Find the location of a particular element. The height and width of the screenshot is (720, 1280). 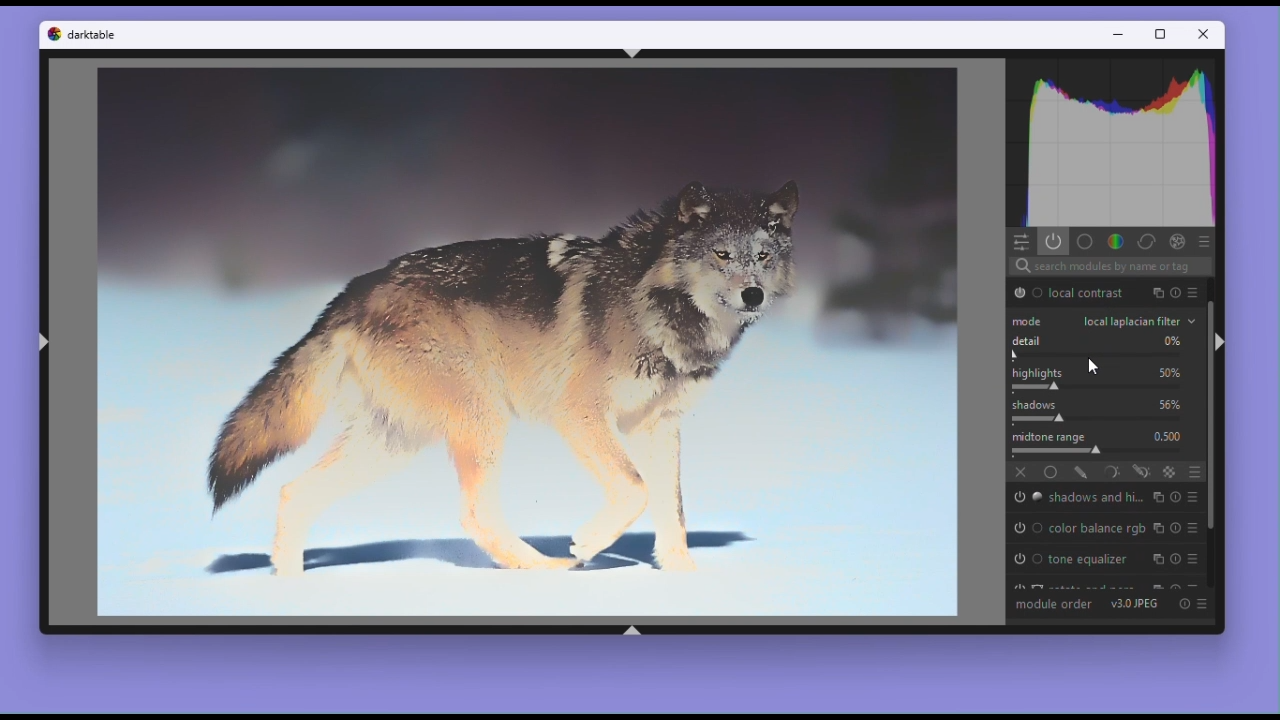

Restore down is located at coordinates (1163, 34).